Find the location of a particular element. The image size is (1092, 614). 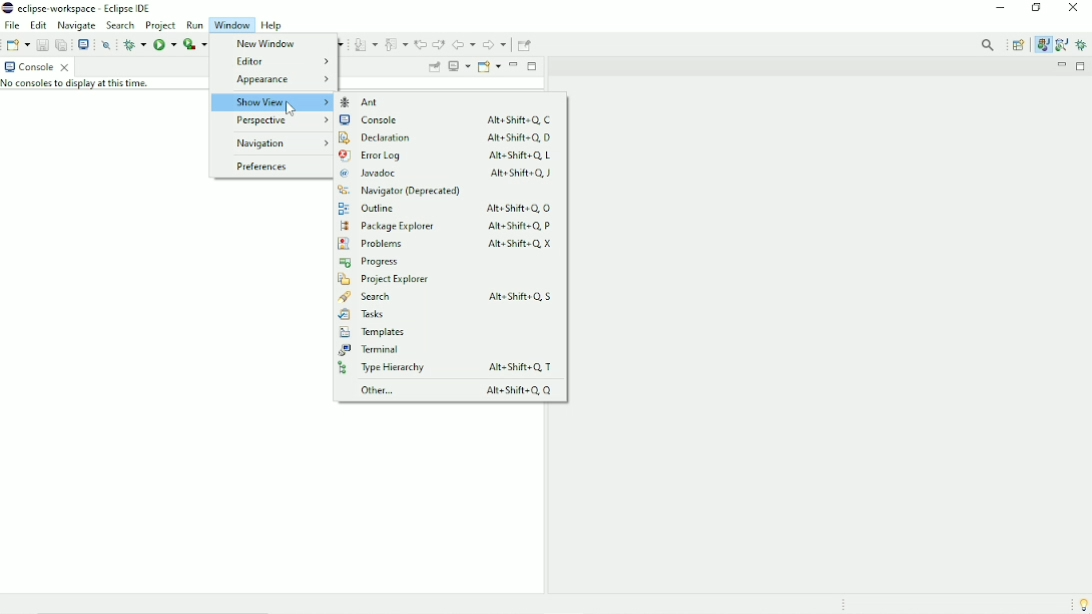

Previous Annotation is located at coordinates (396, 44).